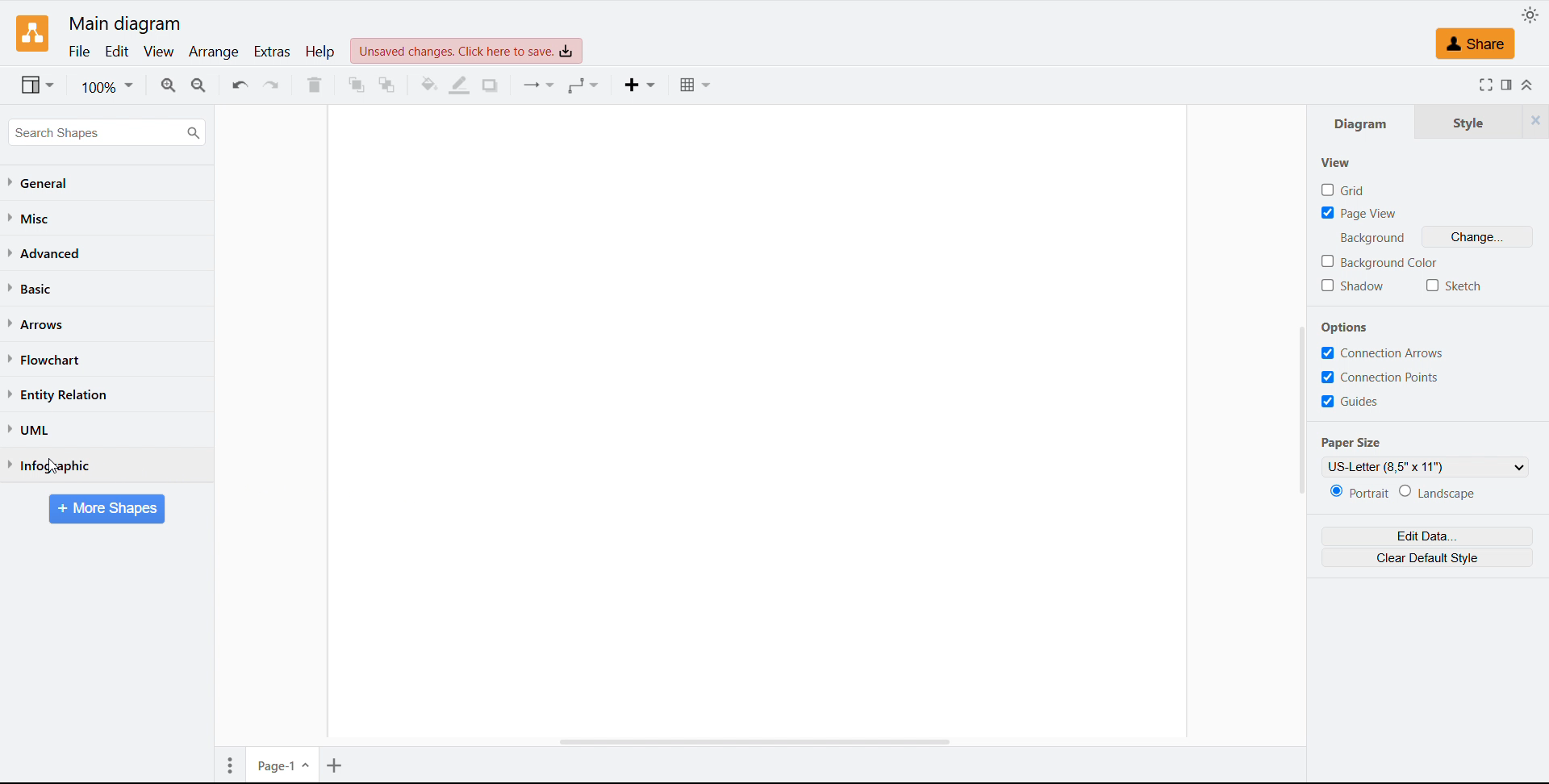 This screenshot has height=784, width=1549. What do you see at coordinates (1363, 123) in the screenshot?
I see `Diagram ` at bounding box center [1363, 123].